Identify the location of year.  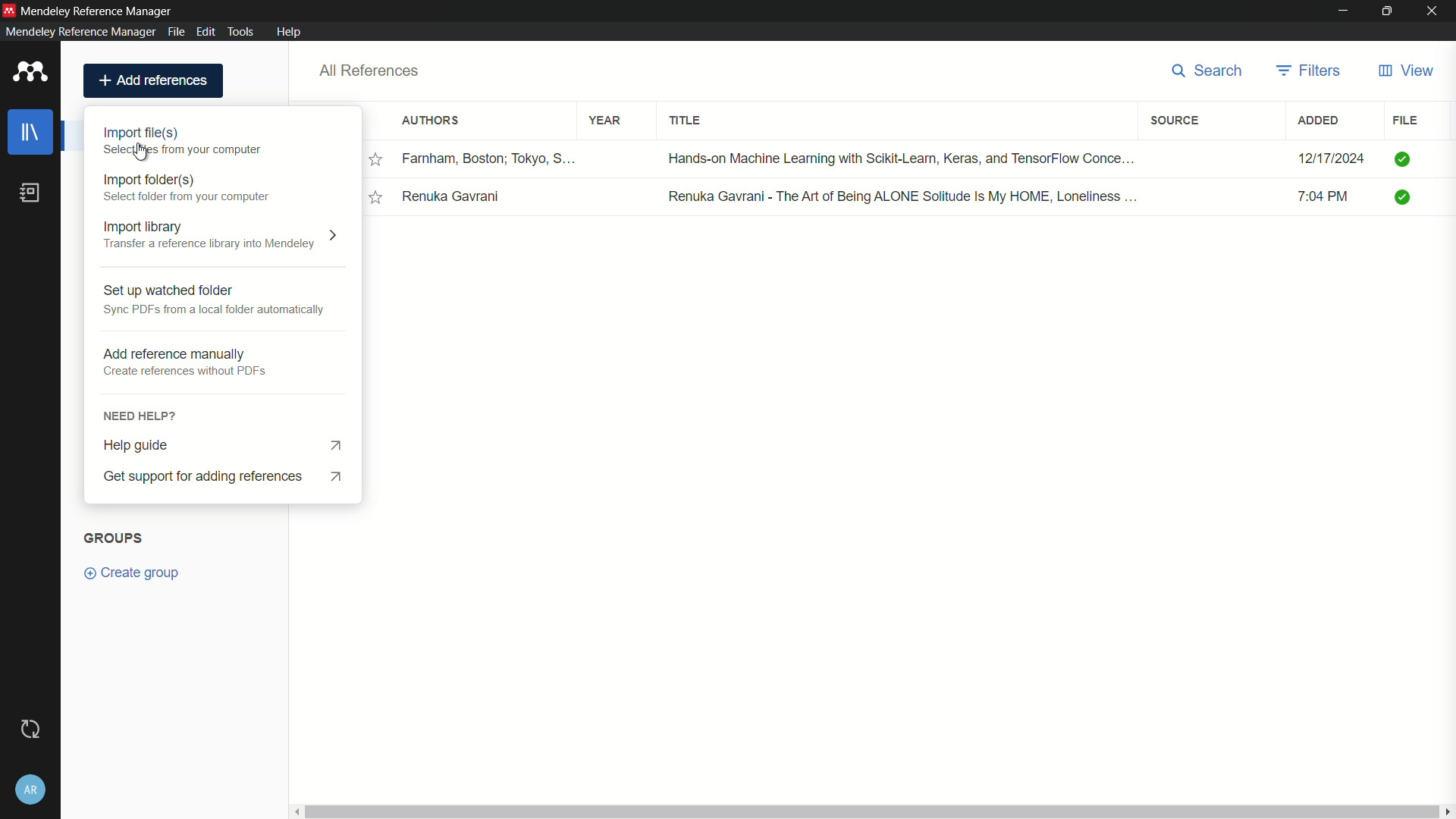
(605, 121).